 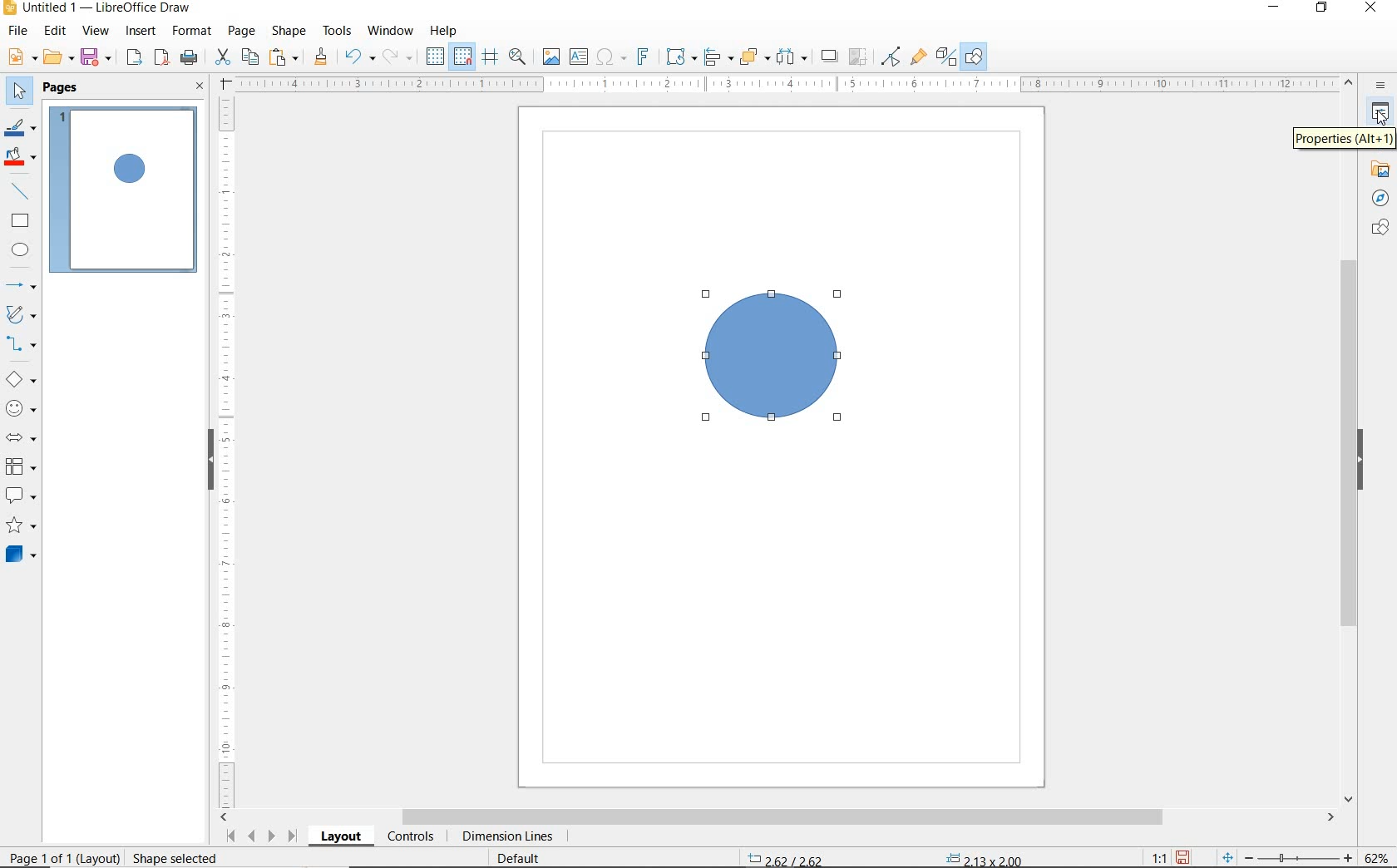 What do you see at coordinates (1380, 119) in the screenshot?
I see `pointer cursor` at bounding box center [1380, 119].